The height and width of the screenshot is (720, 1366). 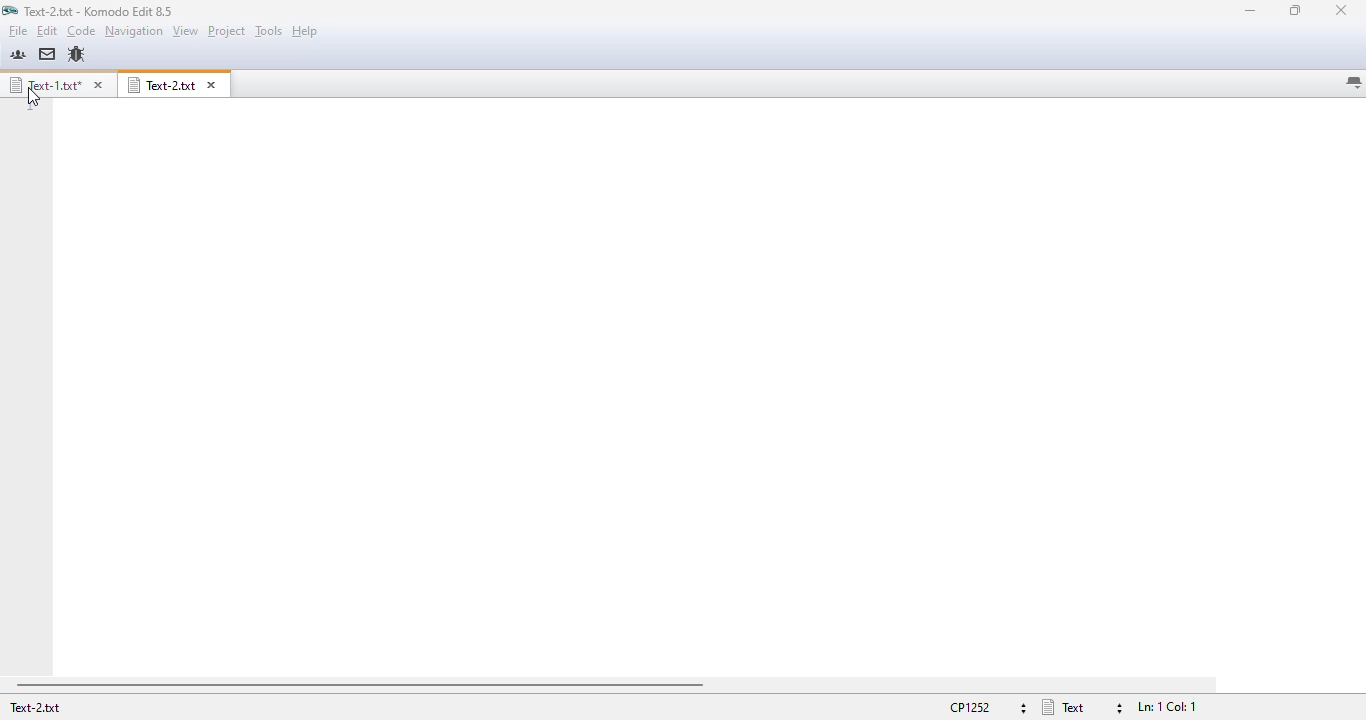 What do you see at coordinates (34, 707) in the screenshot?
I see `text-2` at bounding box center [34, 707].